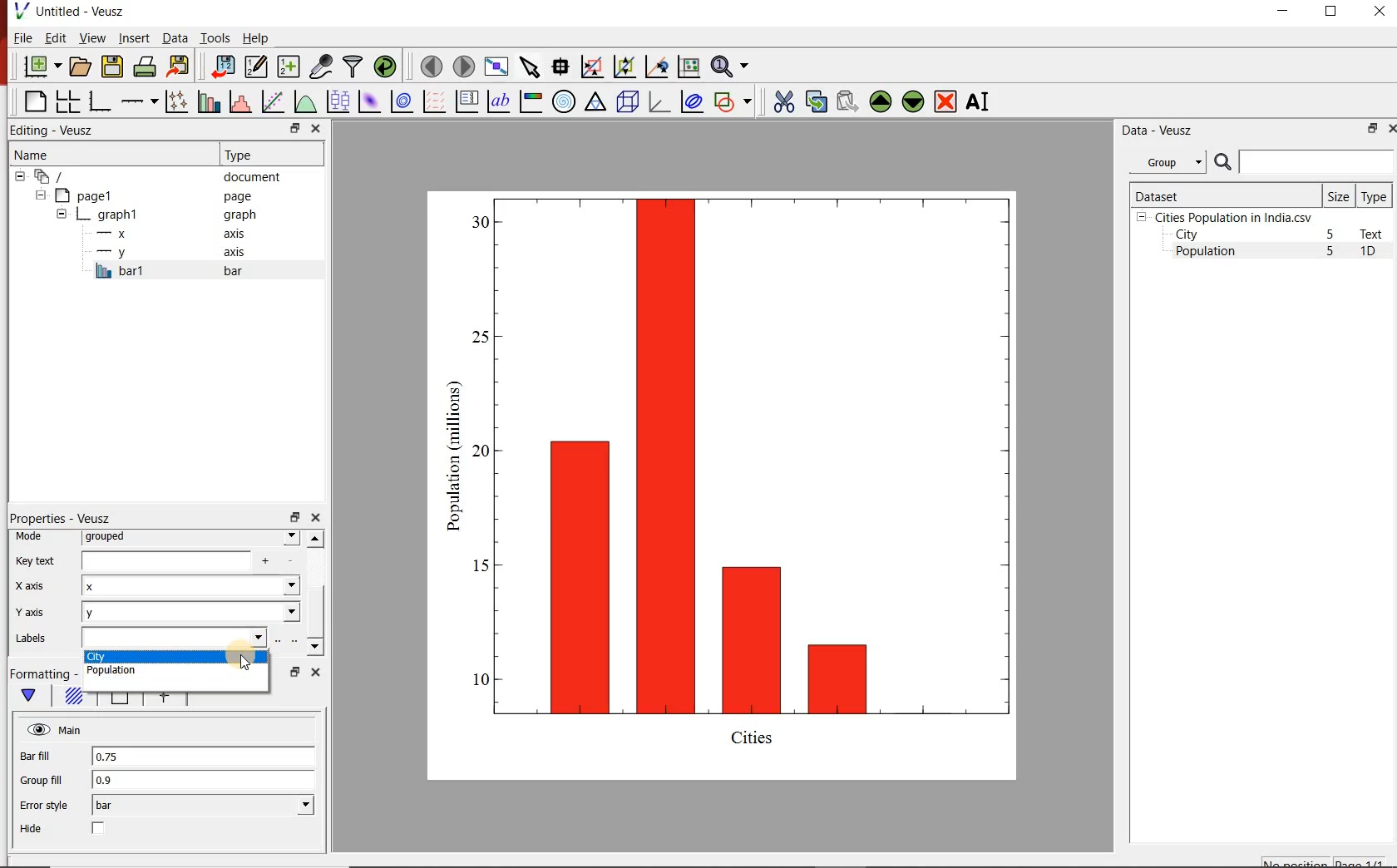 The height and width of the screenshot is (868, 1397). What do you see at coordinates (1331, 12) in the screenshot?
I see `RESTORE` at bounding box center [1331, 12].